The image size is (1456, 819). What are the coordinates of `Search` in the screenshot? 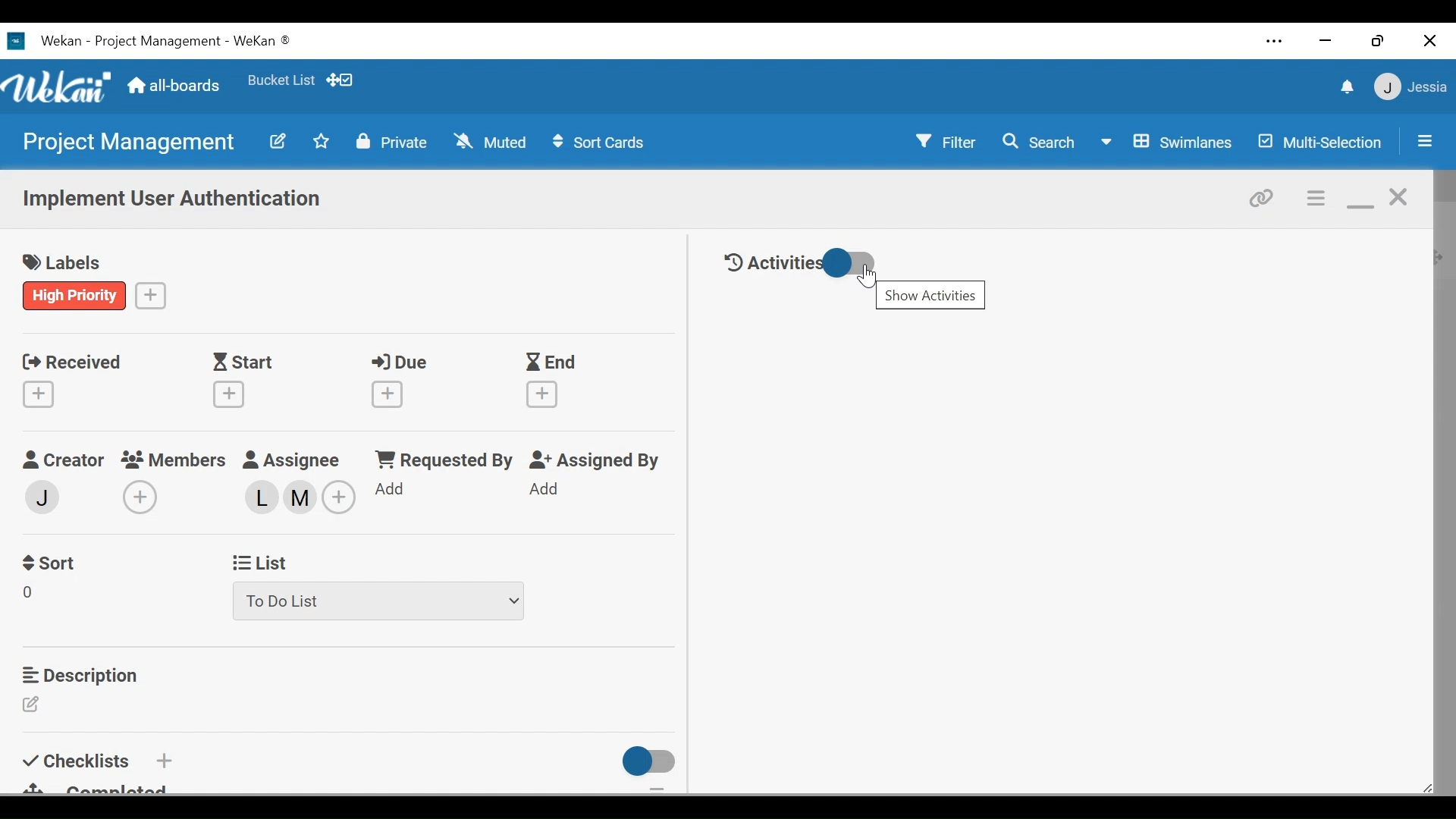 It's located at (1041, 142).